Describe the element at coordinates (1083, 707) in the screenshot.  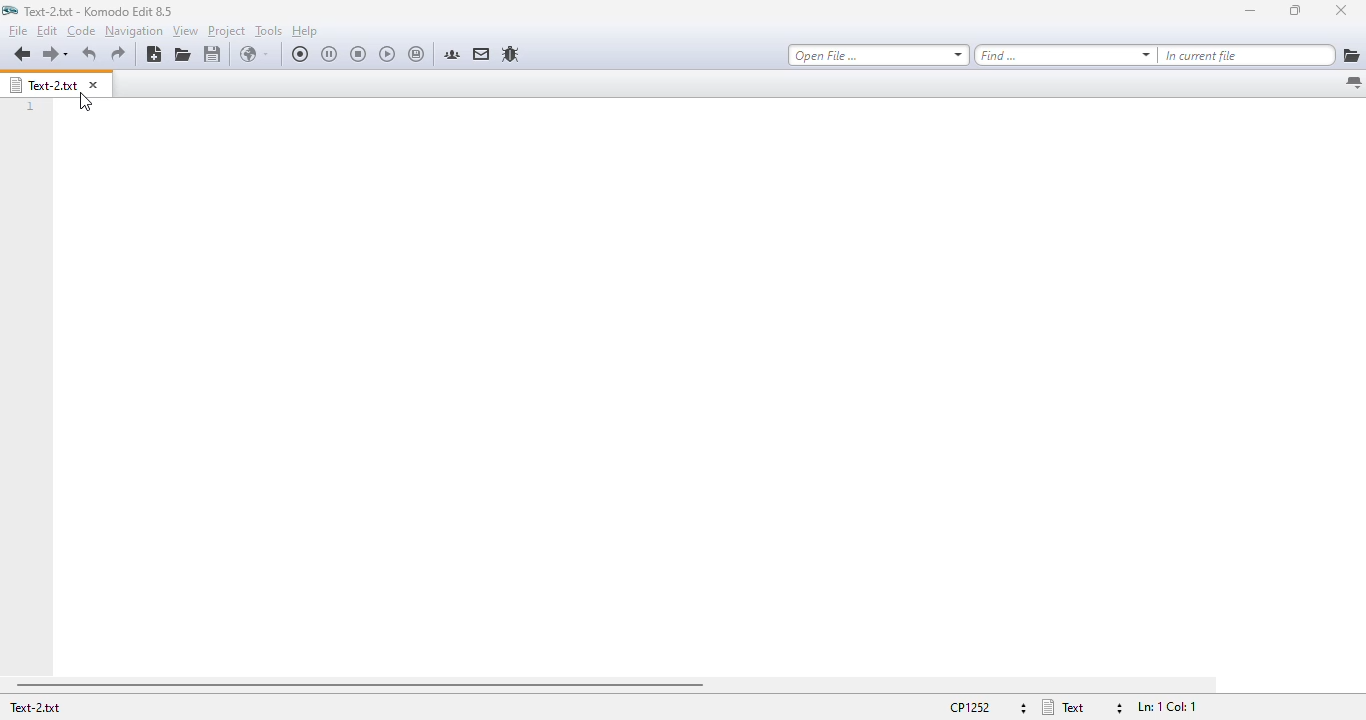
I see `file type` at that location.